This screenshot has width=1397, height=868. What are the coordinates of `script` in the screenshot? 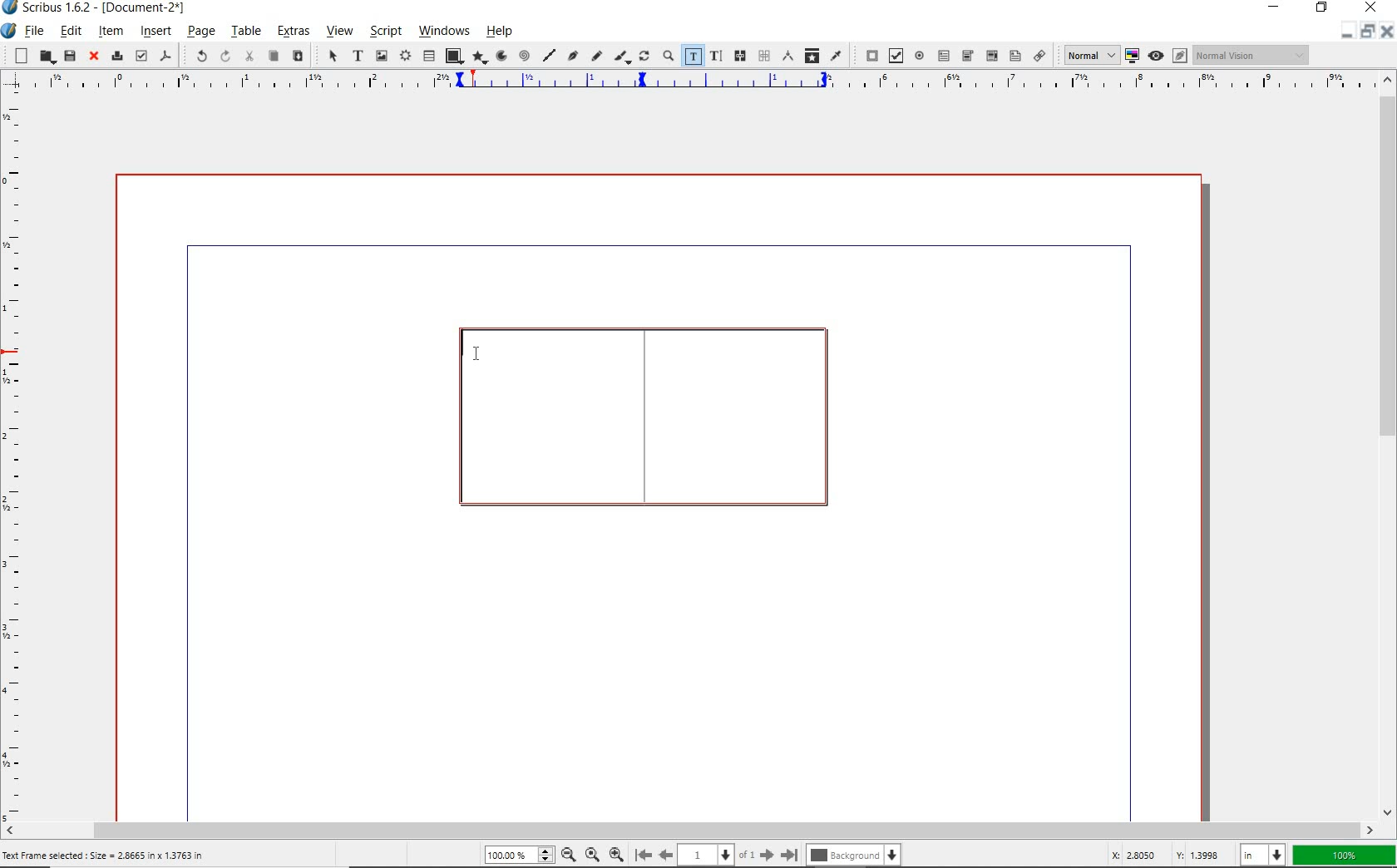 It's located at (383, 31).